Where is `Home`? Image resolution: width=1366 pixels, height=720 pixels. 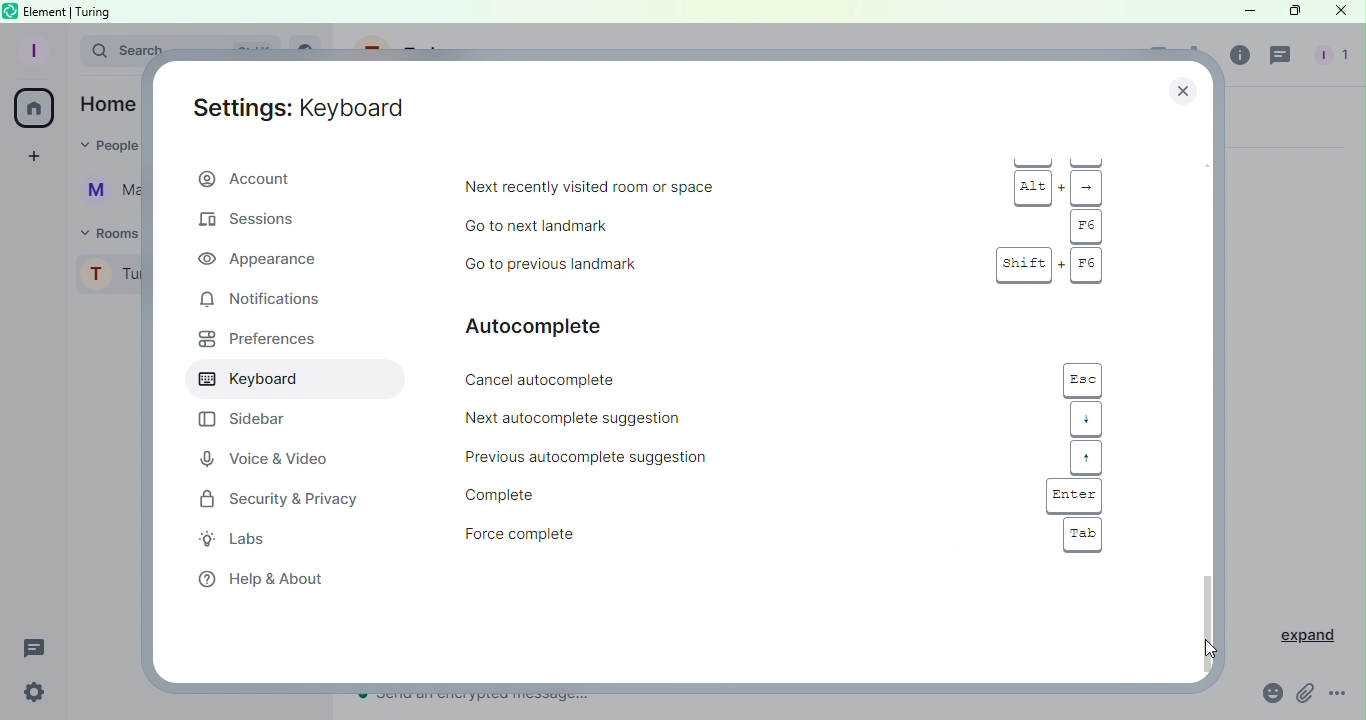
Home is located at coordinates (105, 104).